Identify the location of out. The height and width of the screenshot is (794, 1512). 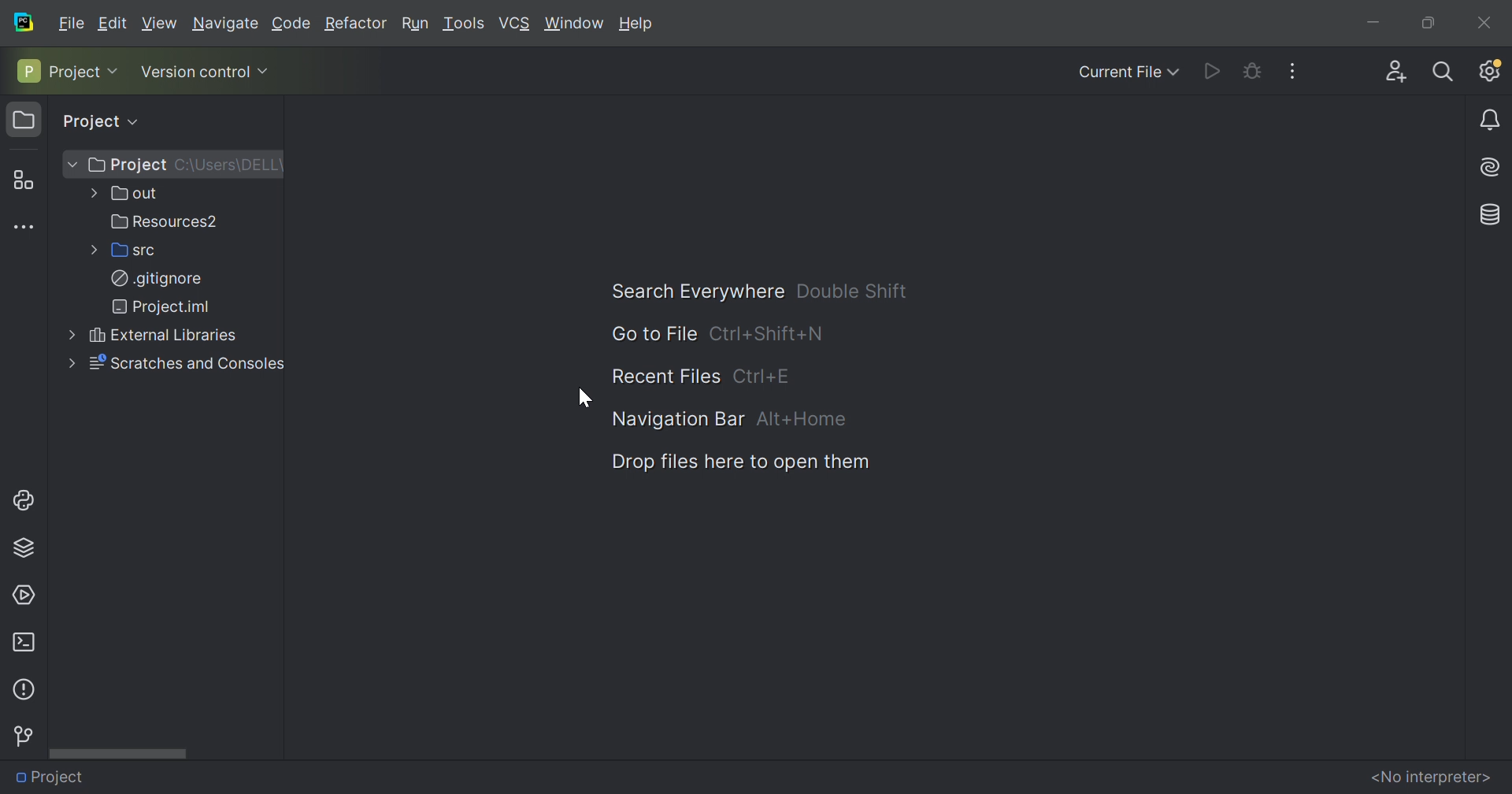
(130, 194).